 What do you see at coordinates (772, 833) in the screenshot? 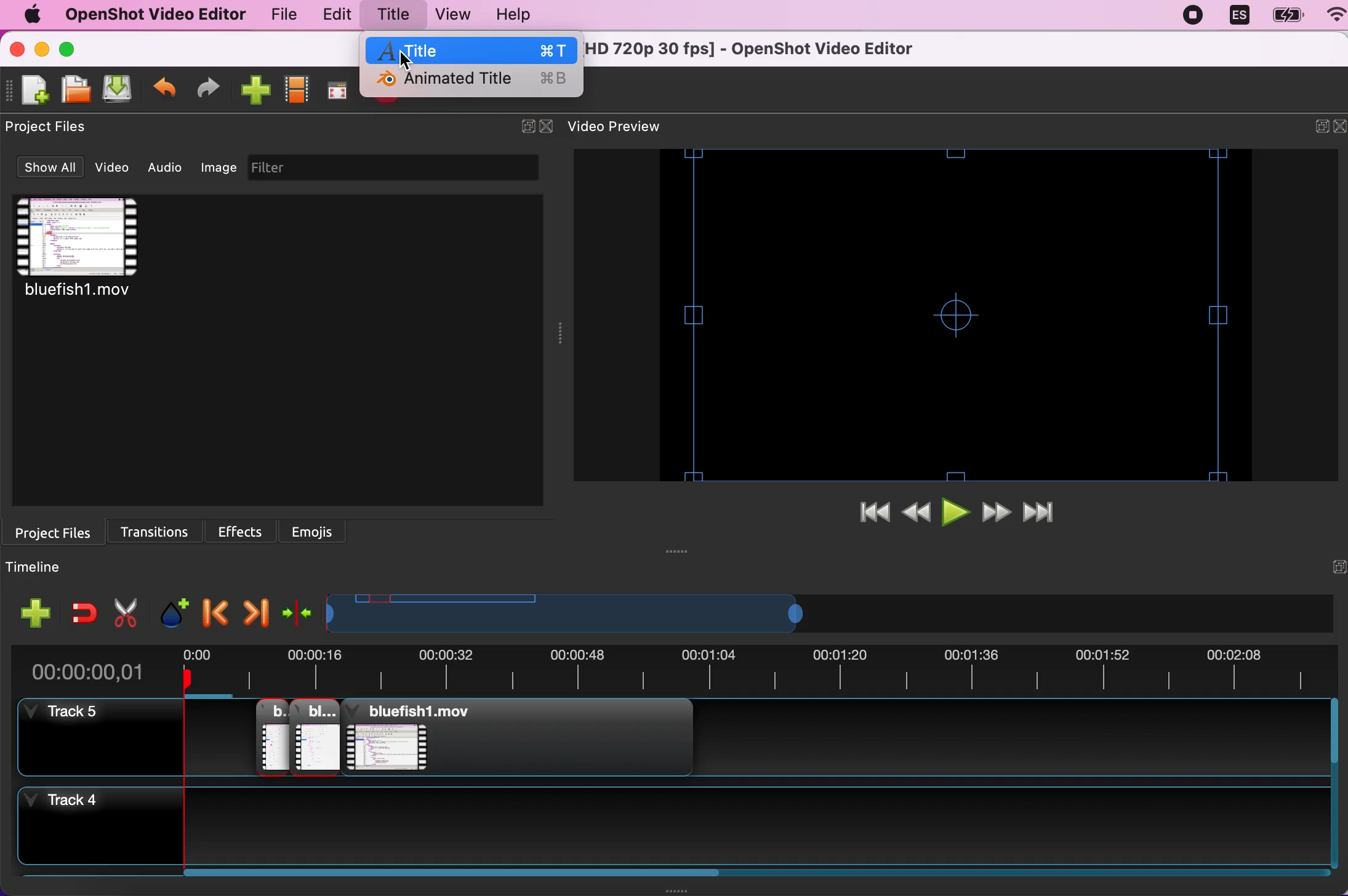
I see `track 4` at bounding box center [772, 833].